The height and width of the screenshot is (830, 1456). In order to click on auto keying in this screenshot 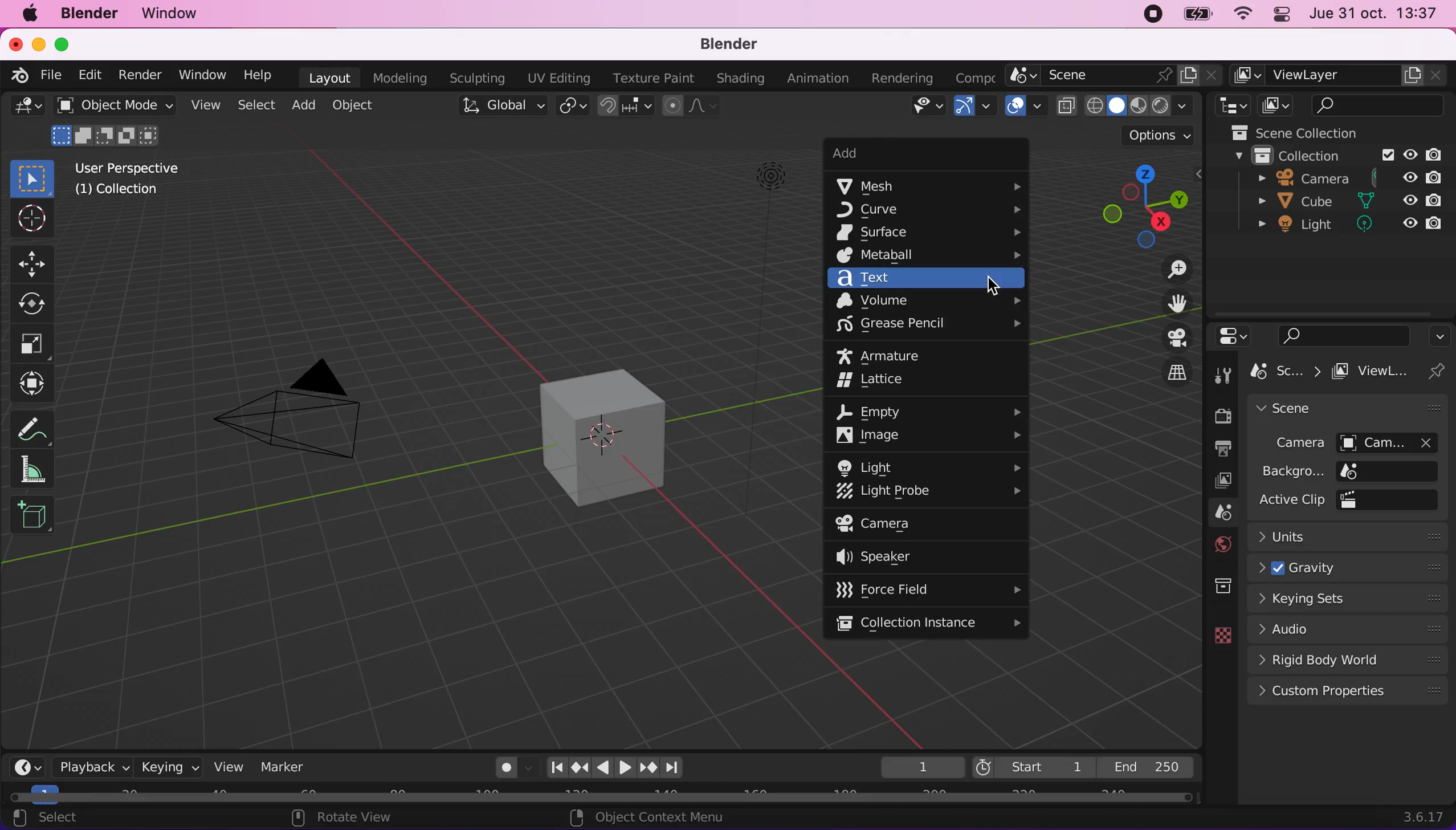, I will do `click(501, 768)`.